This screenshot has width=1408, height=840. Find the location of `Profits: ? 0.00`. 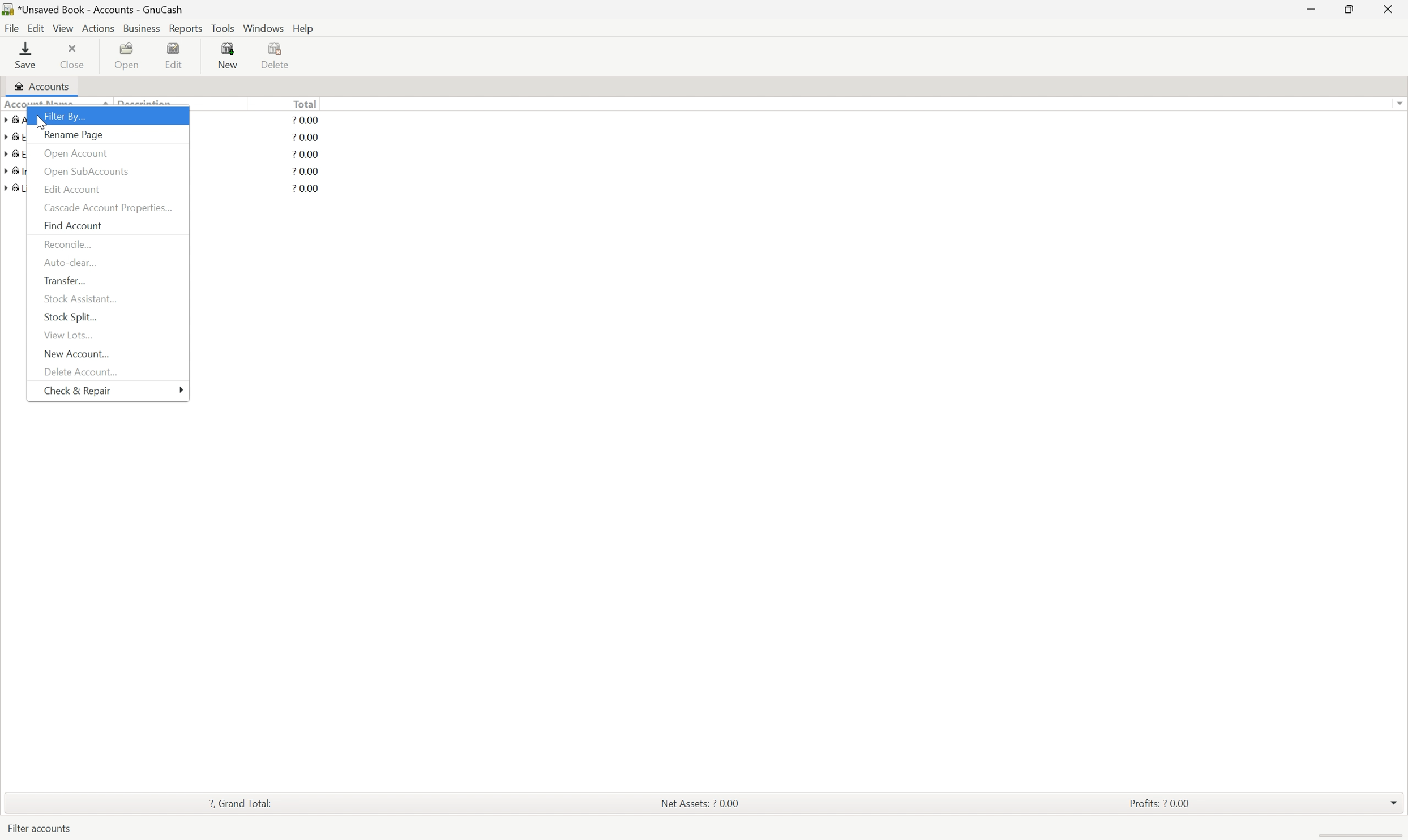

Profits: ? 0.00 is located at coordinates (1158, 803).